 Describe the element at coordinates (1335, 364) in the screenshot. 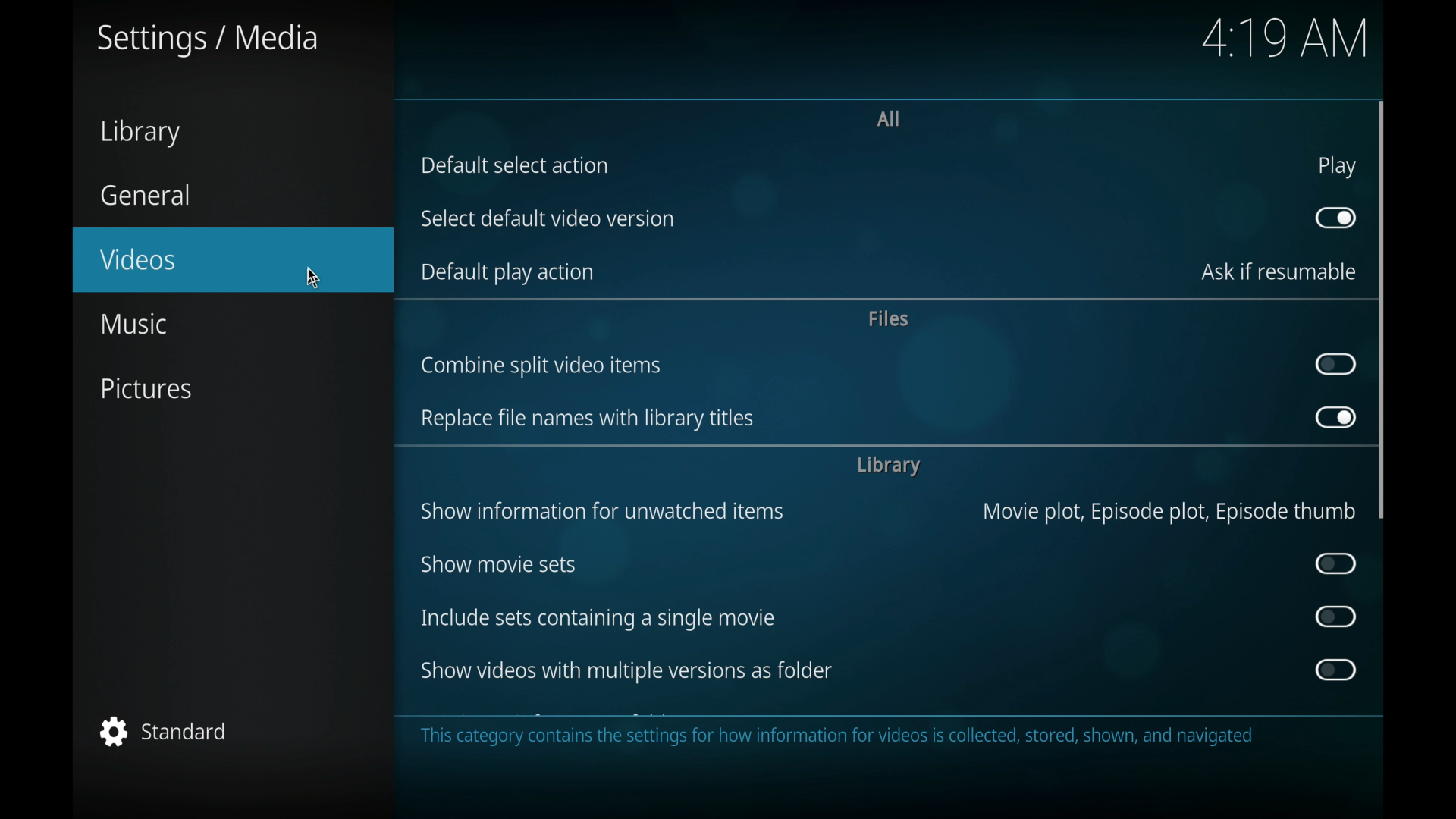

I see `toggle button` at that location.